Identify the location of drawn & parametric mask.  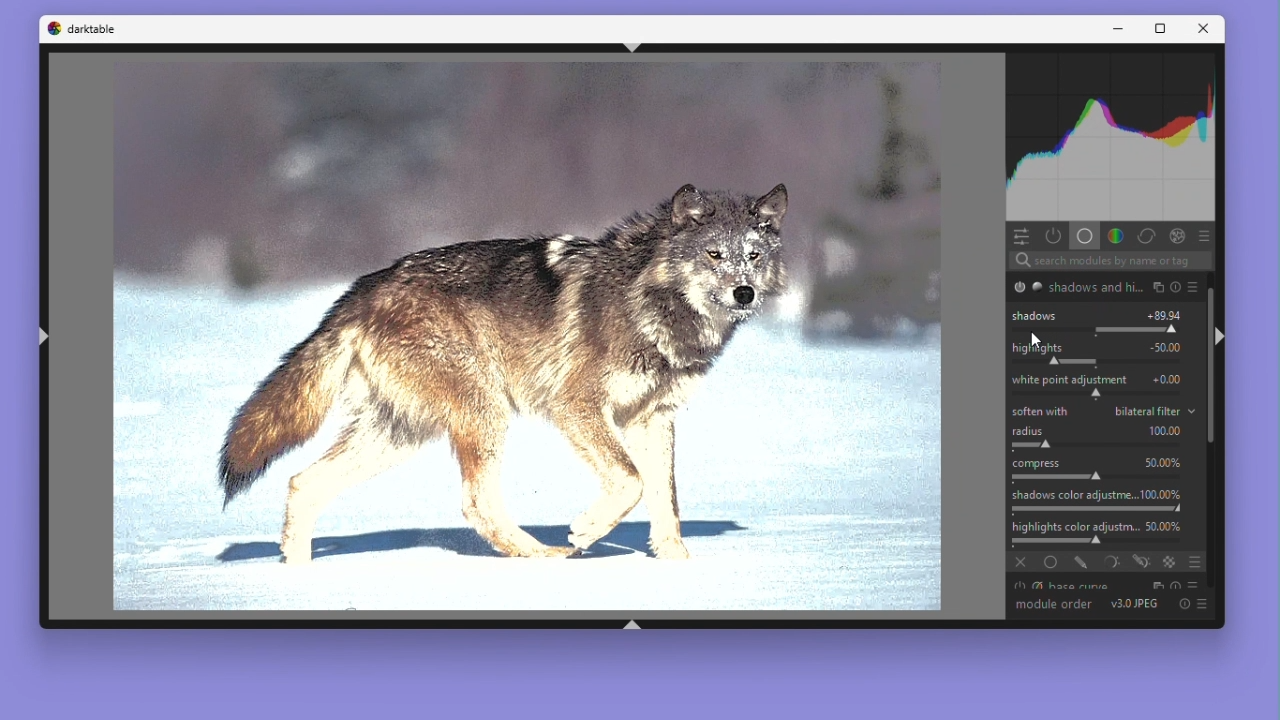
(1140, 562).